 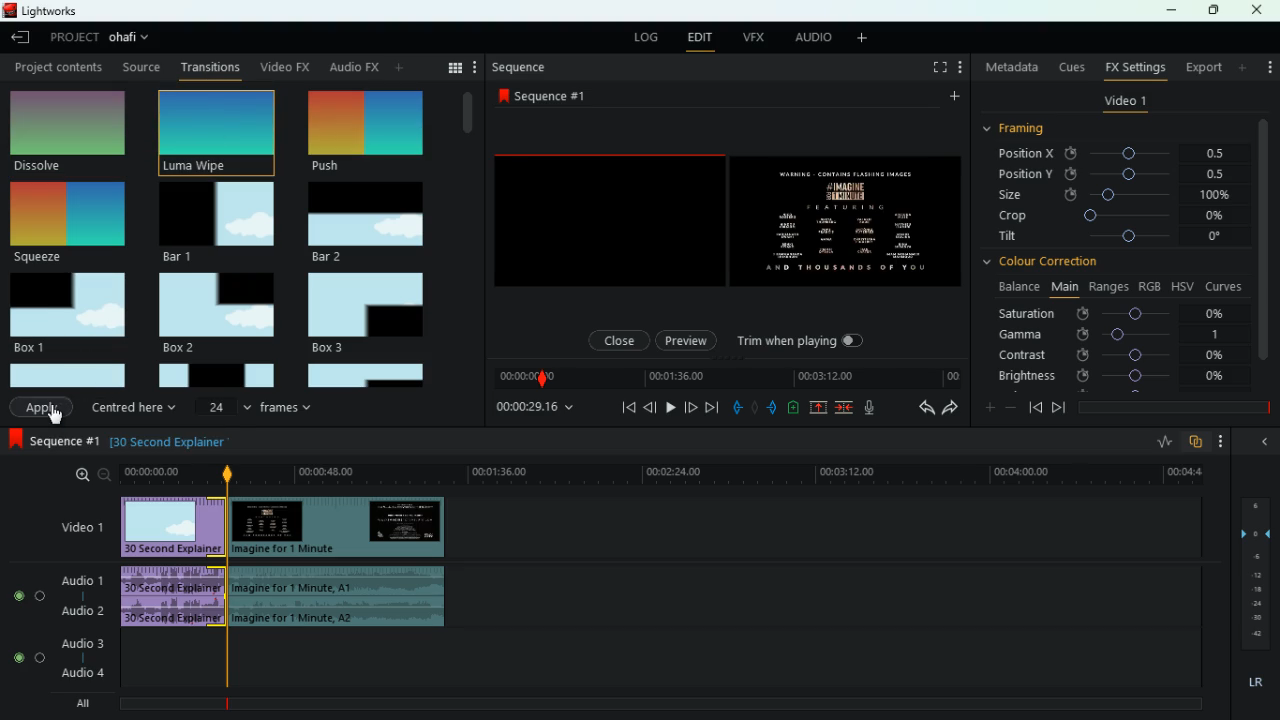 What do you see at coordinates (1064, 285) in the screenshot?
I see `main` at bounding box center [1064, 285].